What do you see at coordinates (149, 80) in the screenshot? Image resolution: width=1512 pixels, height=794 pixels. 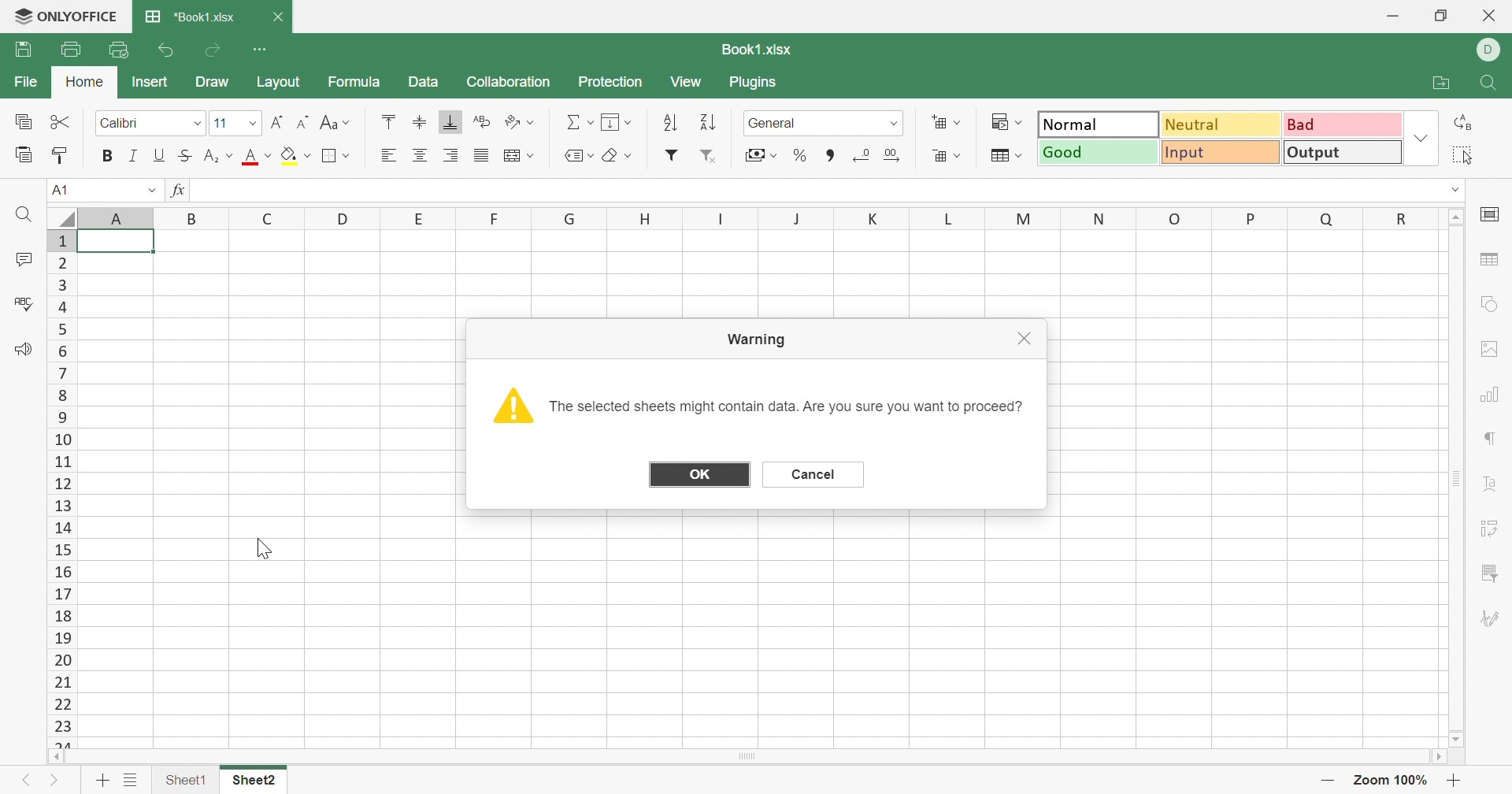 I see `Insert` at bounding box center [149, 80].